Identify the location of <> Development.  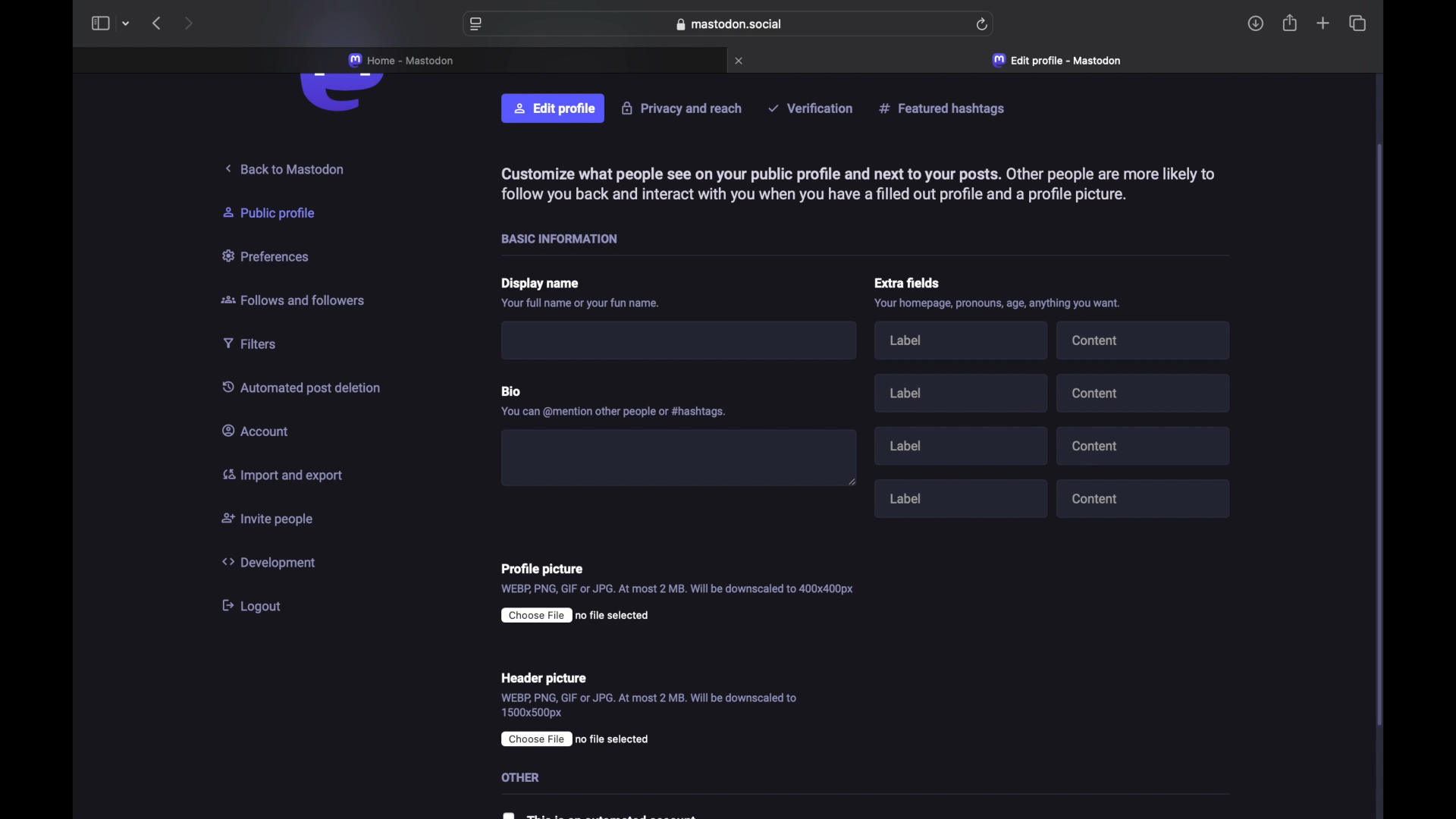
(271, 560).